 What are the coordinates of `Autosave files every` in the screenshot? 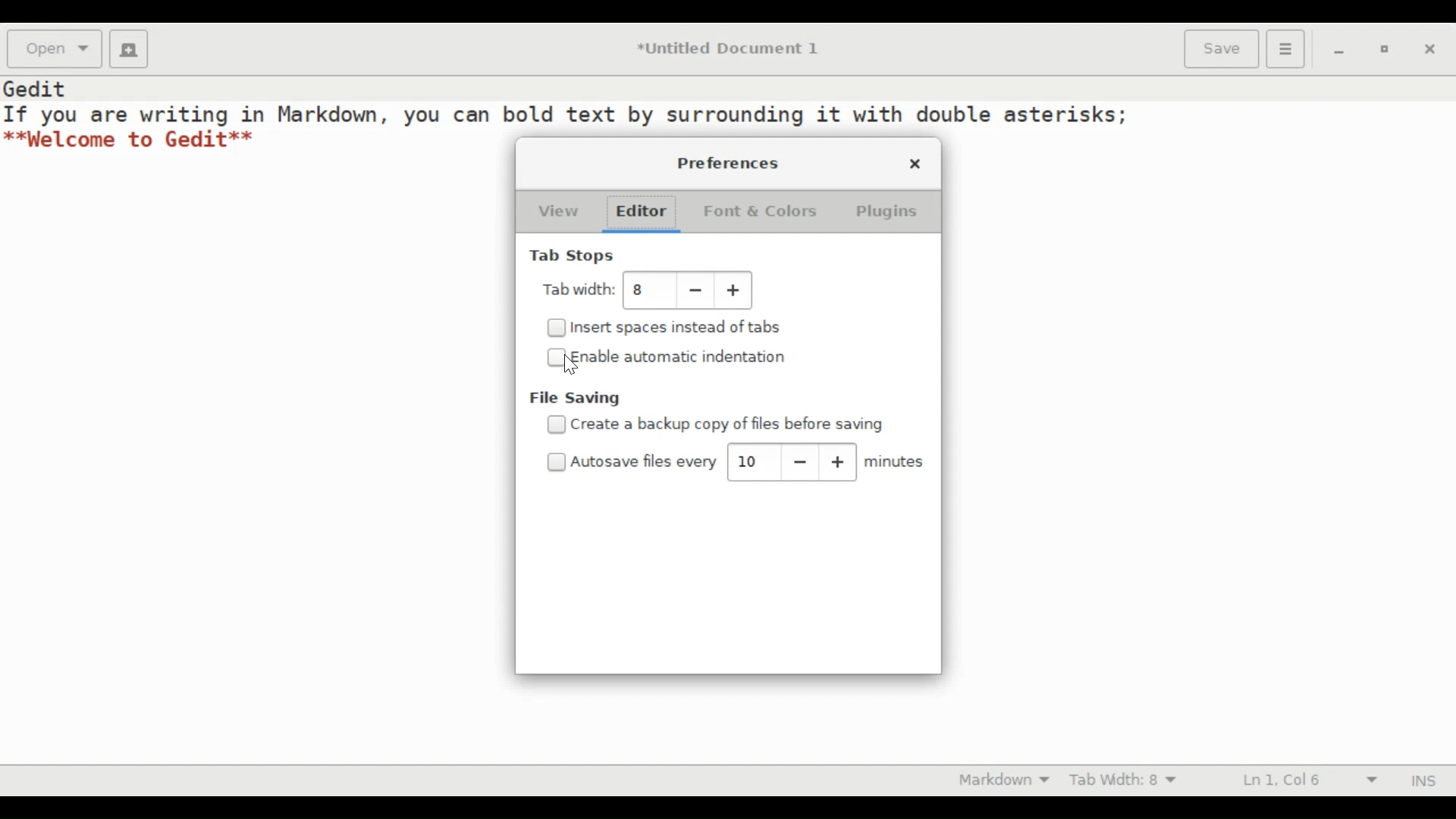 It's located at (645, 462).